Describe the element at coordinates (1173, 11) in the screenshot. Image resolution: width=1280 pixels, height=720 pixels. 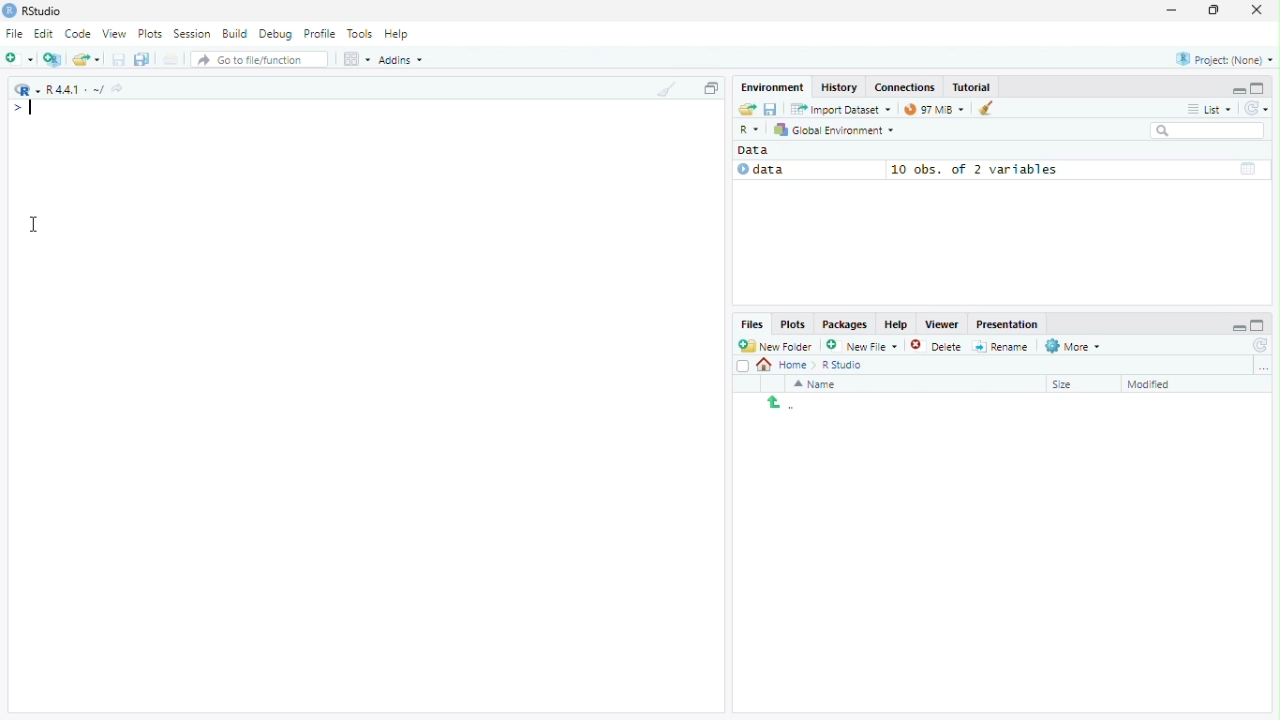
I see `minimize` at that location.